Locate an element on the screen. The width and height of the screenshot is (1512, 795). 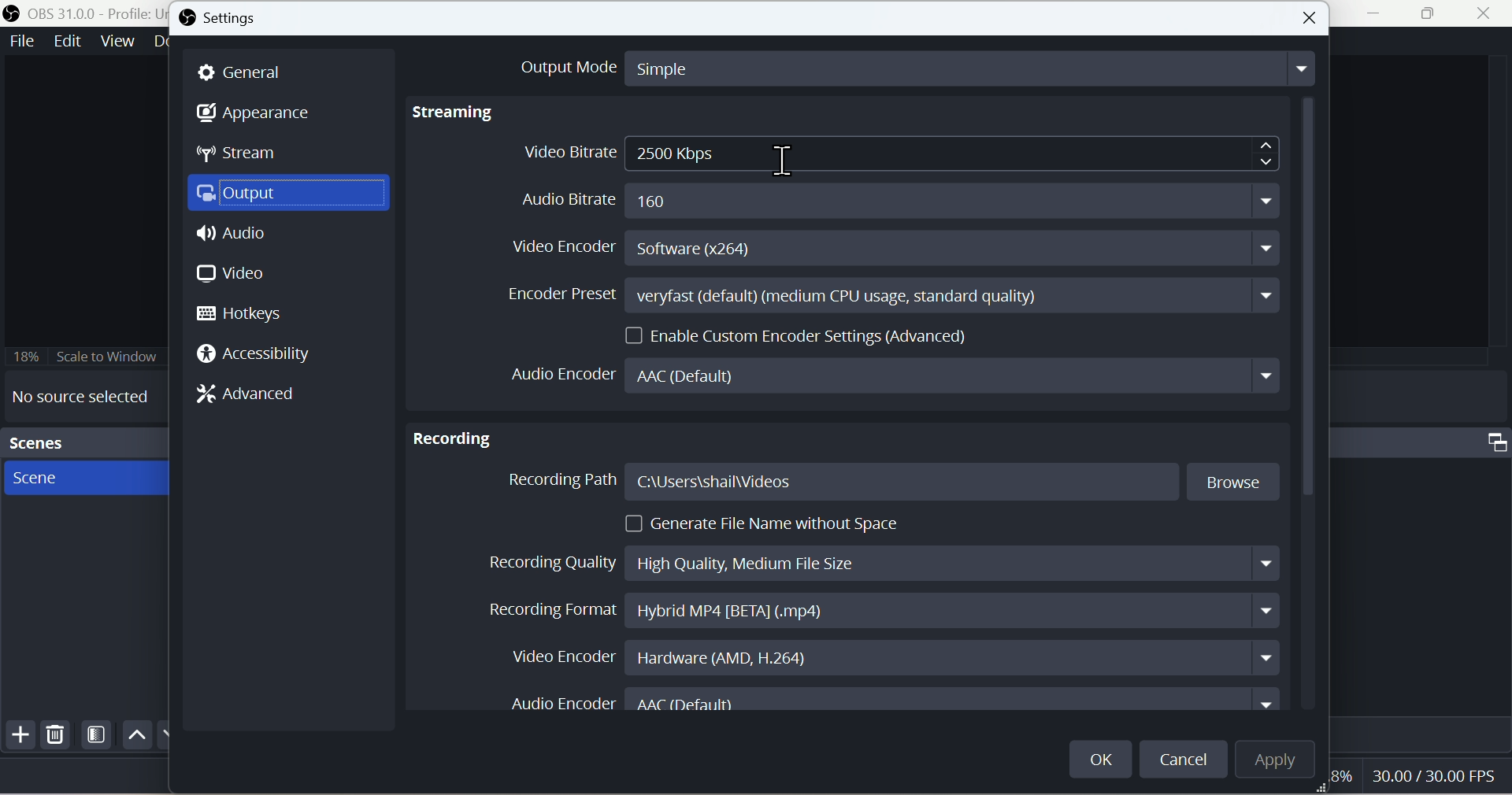
Settings is located at coordinates (229, 20).